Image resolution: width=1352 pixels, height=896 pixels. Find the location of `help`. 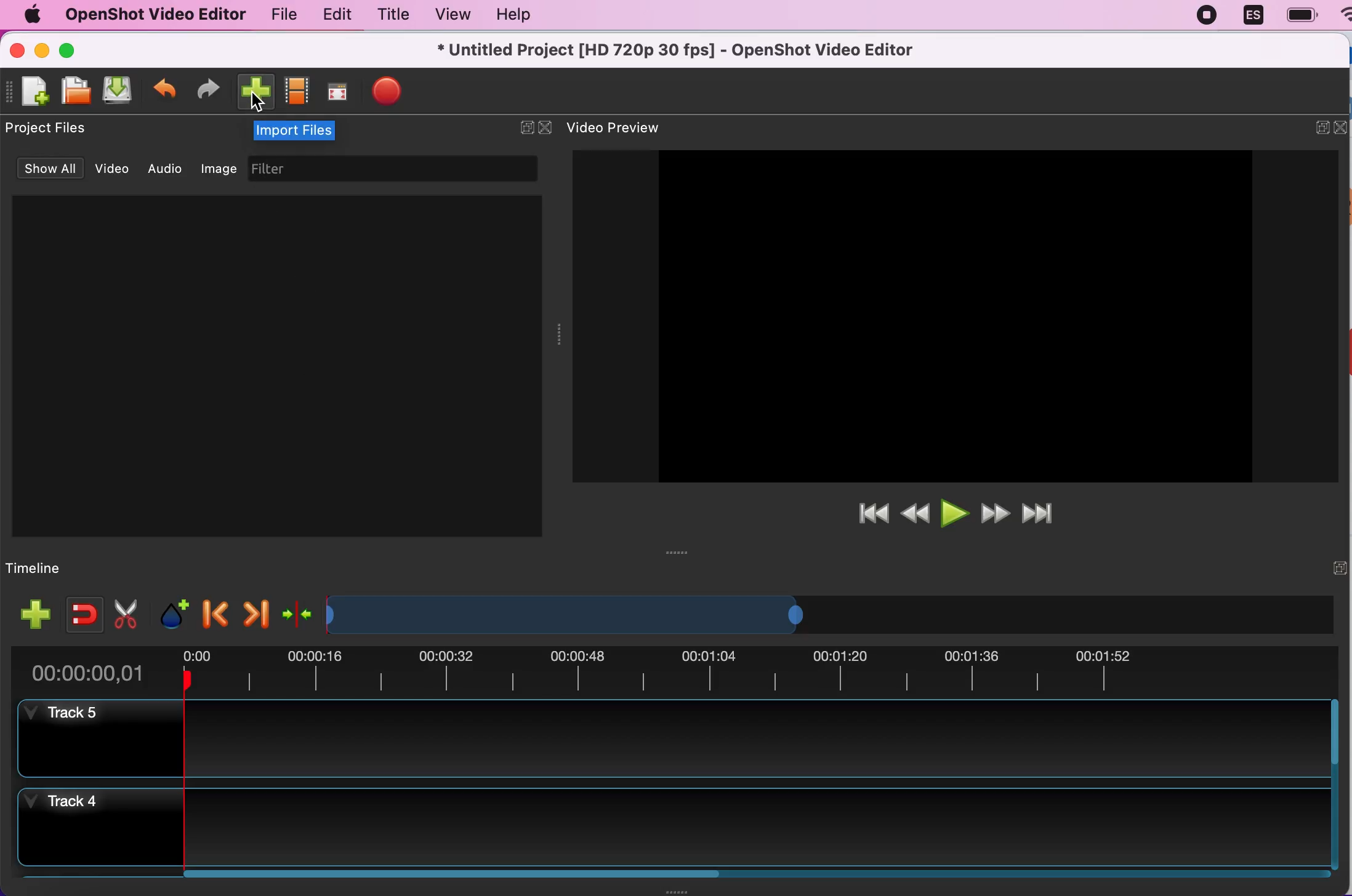

help is located at coordinates (513, 14).